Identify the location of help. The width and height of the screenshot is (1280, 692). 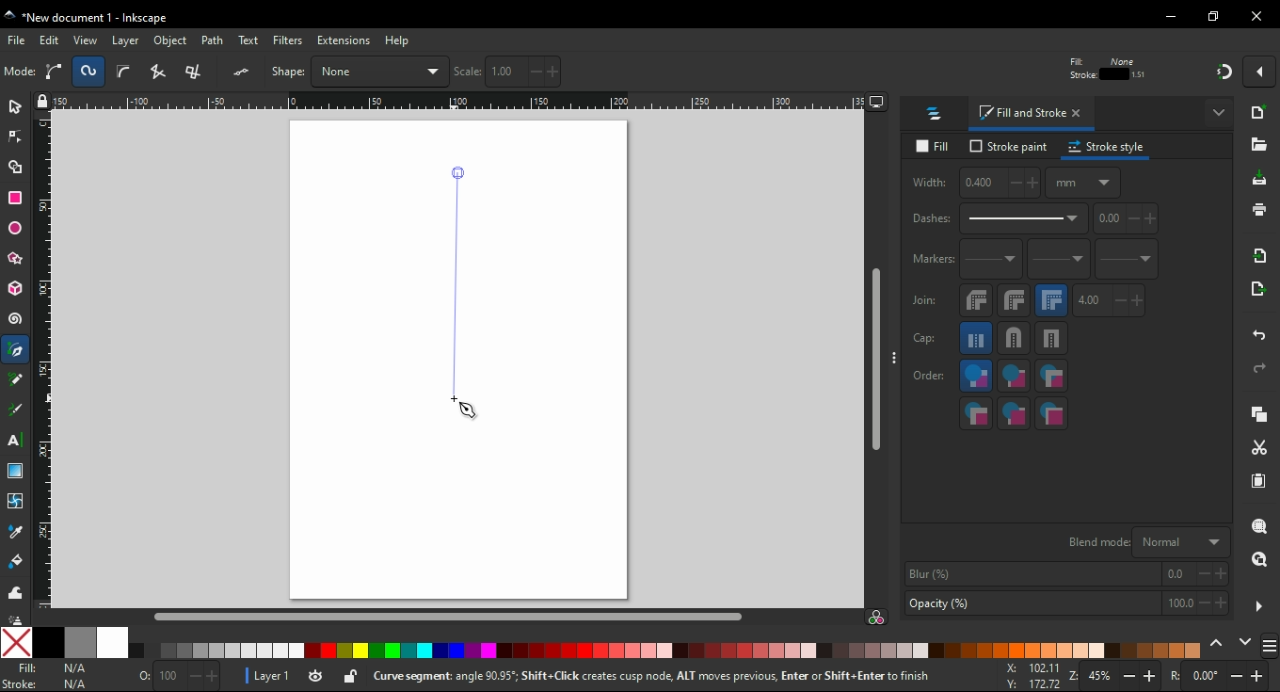
(397, 40).